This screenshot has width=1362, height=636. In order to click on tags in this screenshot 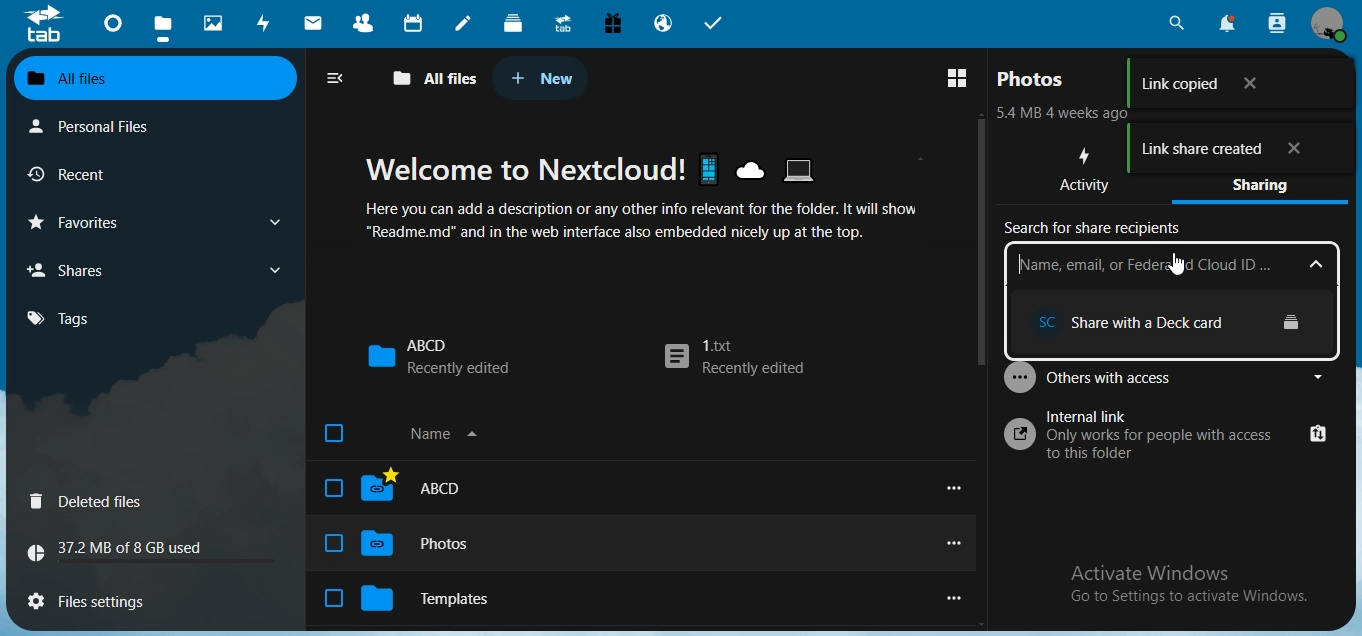, I will do `click(70, 318)`.